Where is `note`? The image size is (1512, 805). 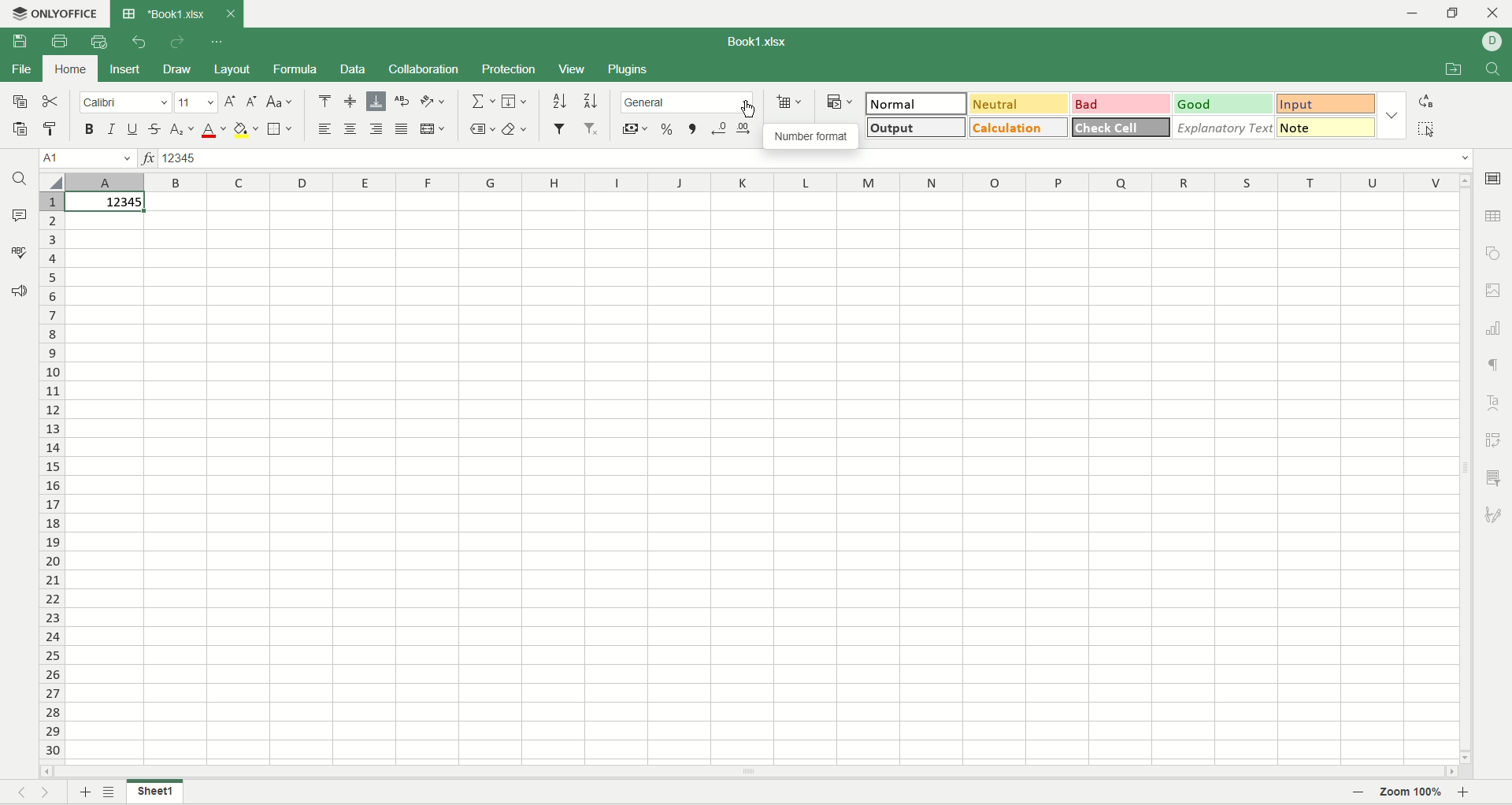 note is located at coordinates (1325, 127).